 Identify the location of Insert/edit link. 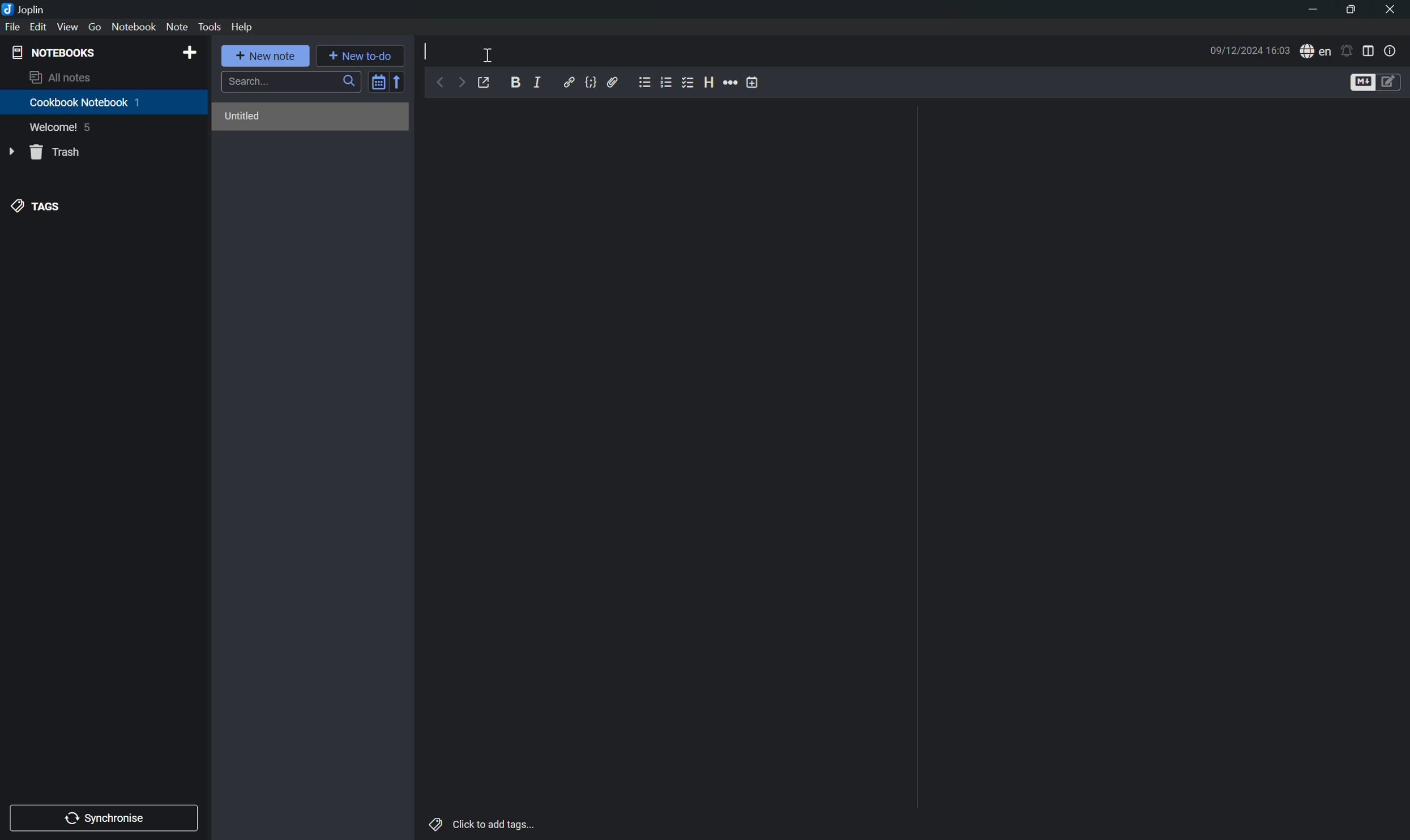
(569, 81).